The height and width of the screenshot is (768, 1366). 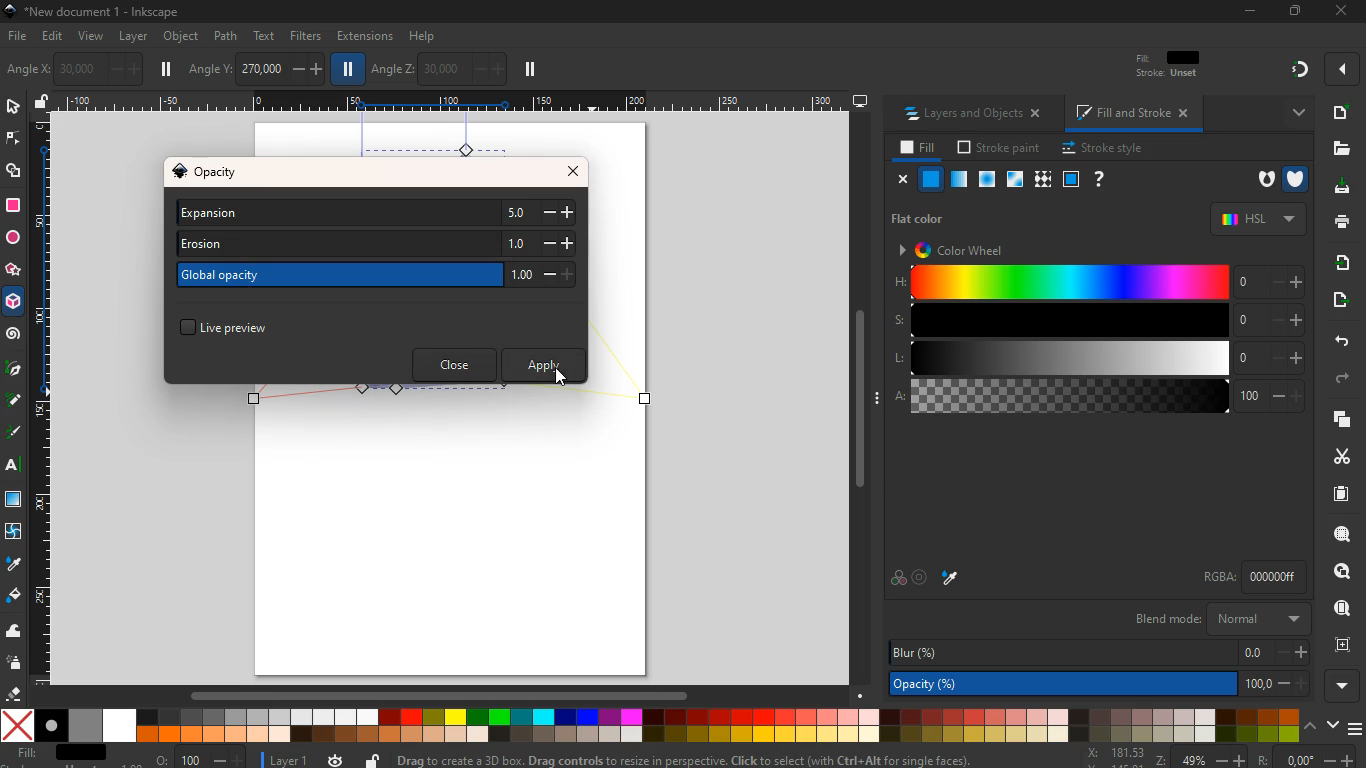 What do you see at coordinates (16, 173) in the screenshot?
I see `shapes` at bounding box center [16, 173].